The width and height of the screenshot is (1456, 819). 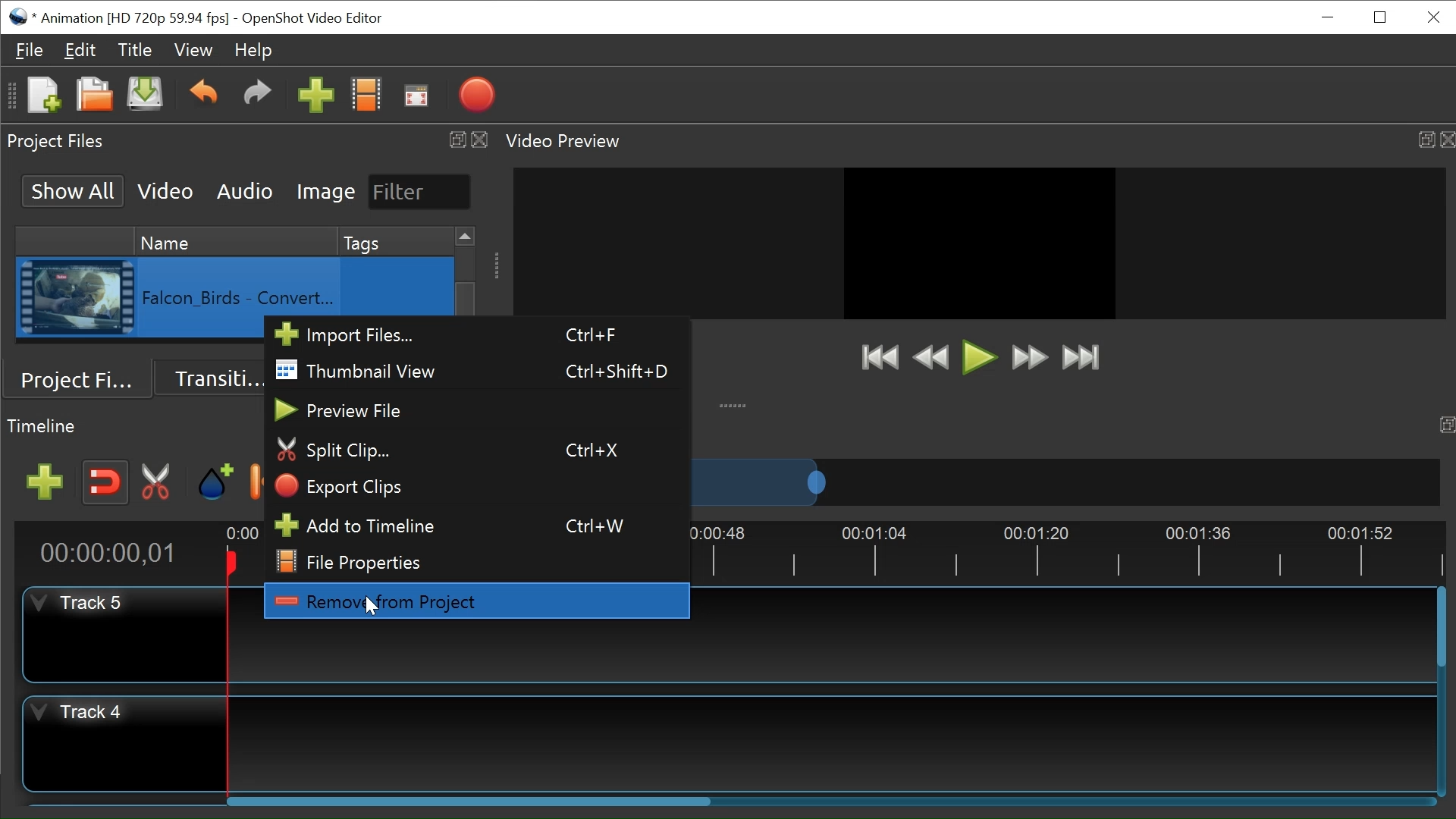 I want to click on Split Clip, so click(x=475, y=450).